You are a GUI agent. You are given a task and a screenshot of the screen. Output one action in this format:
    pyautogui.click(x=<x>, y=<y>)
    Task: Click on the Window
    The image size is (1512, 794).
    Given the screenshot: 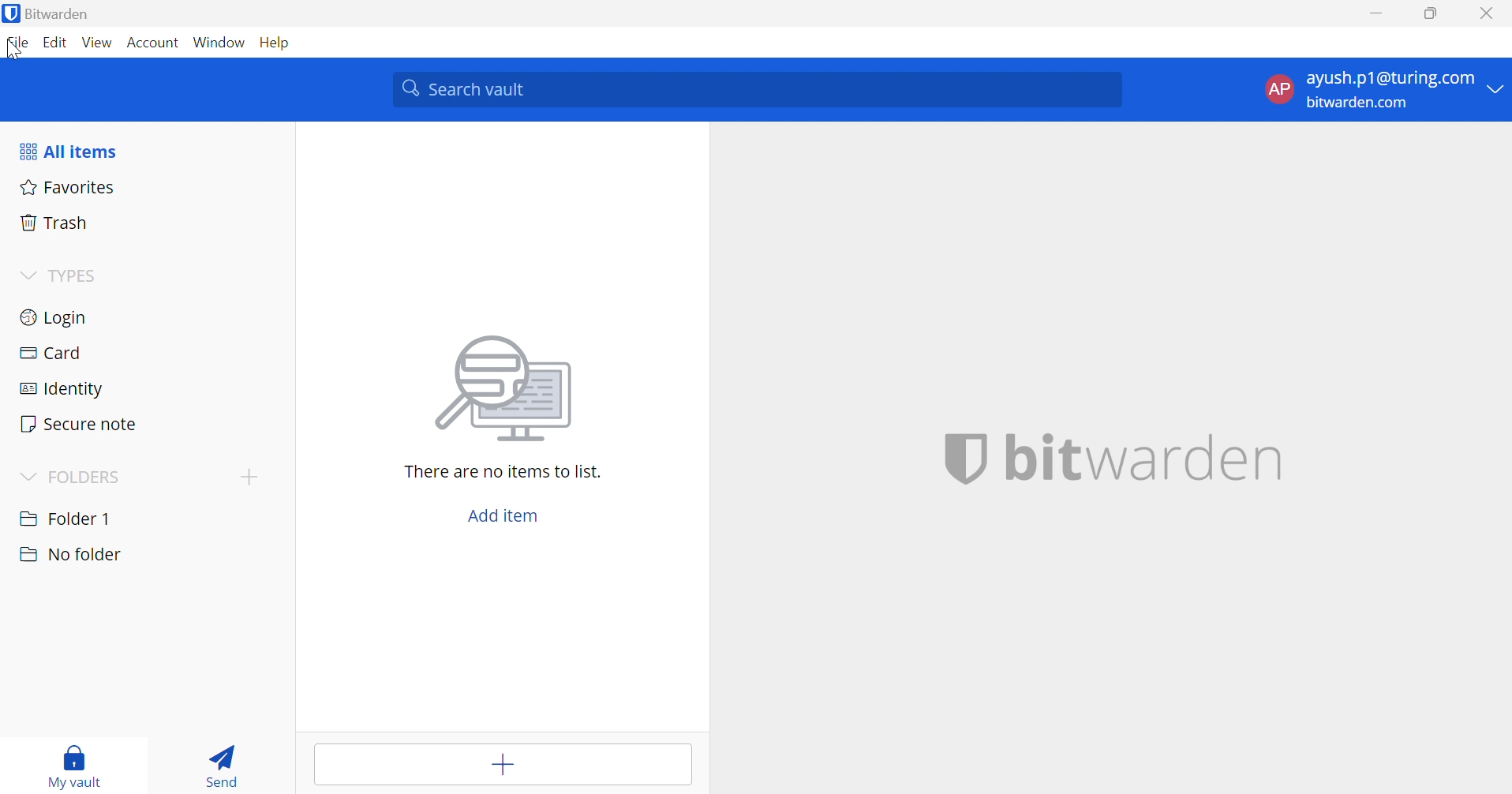 What is the action you would take?
    pyautogui.click(x=221, y=42)
    